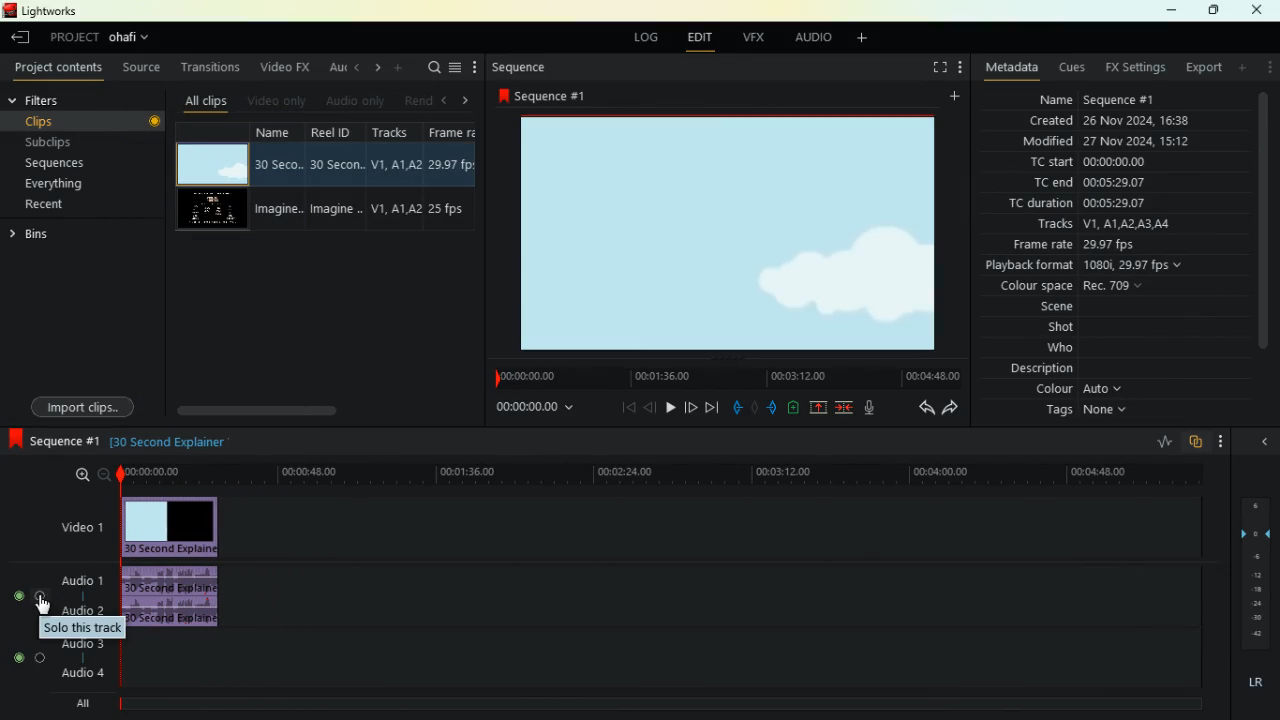  Describe the element at coordinates (1012, 67) in the screenshot. I see `metadata` at that location.